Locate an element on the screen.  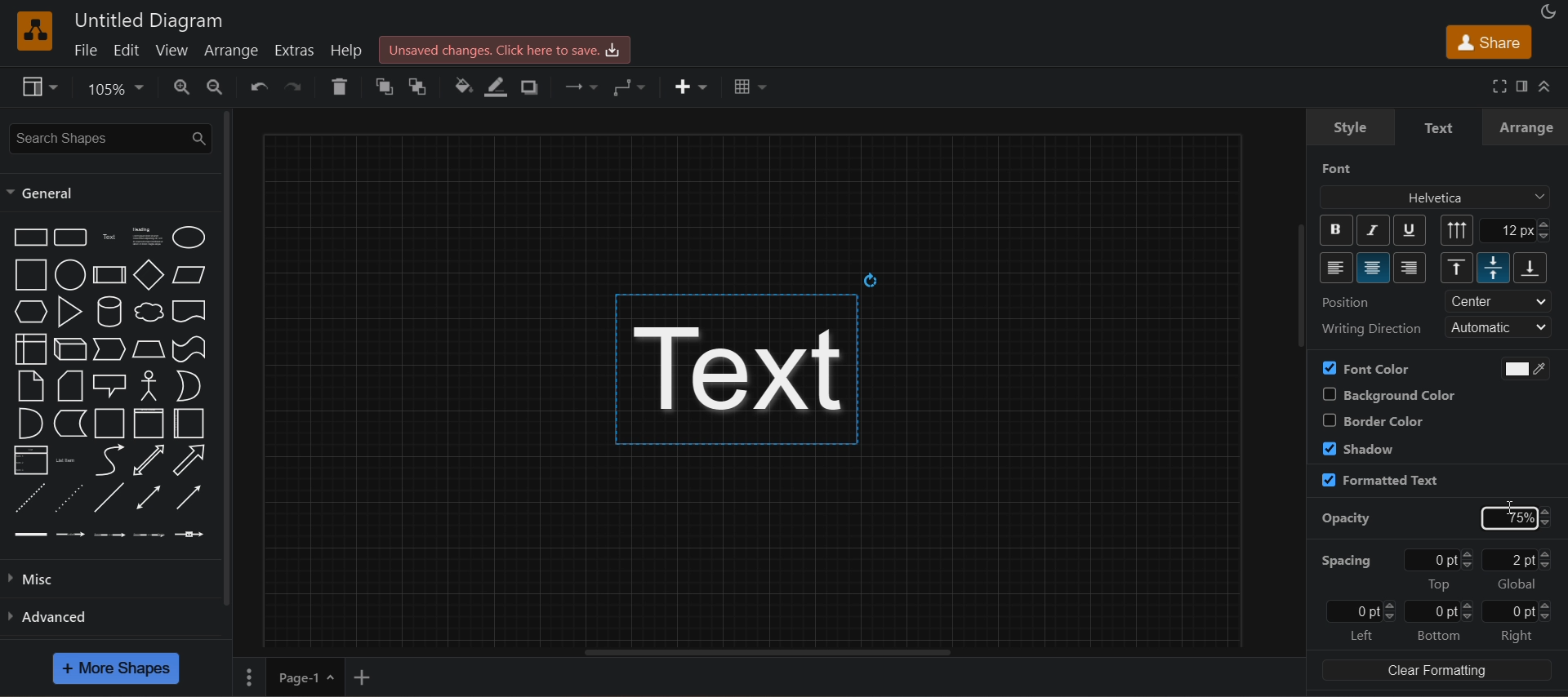
vertical scroll bar is located at coordinates (1304, 290).